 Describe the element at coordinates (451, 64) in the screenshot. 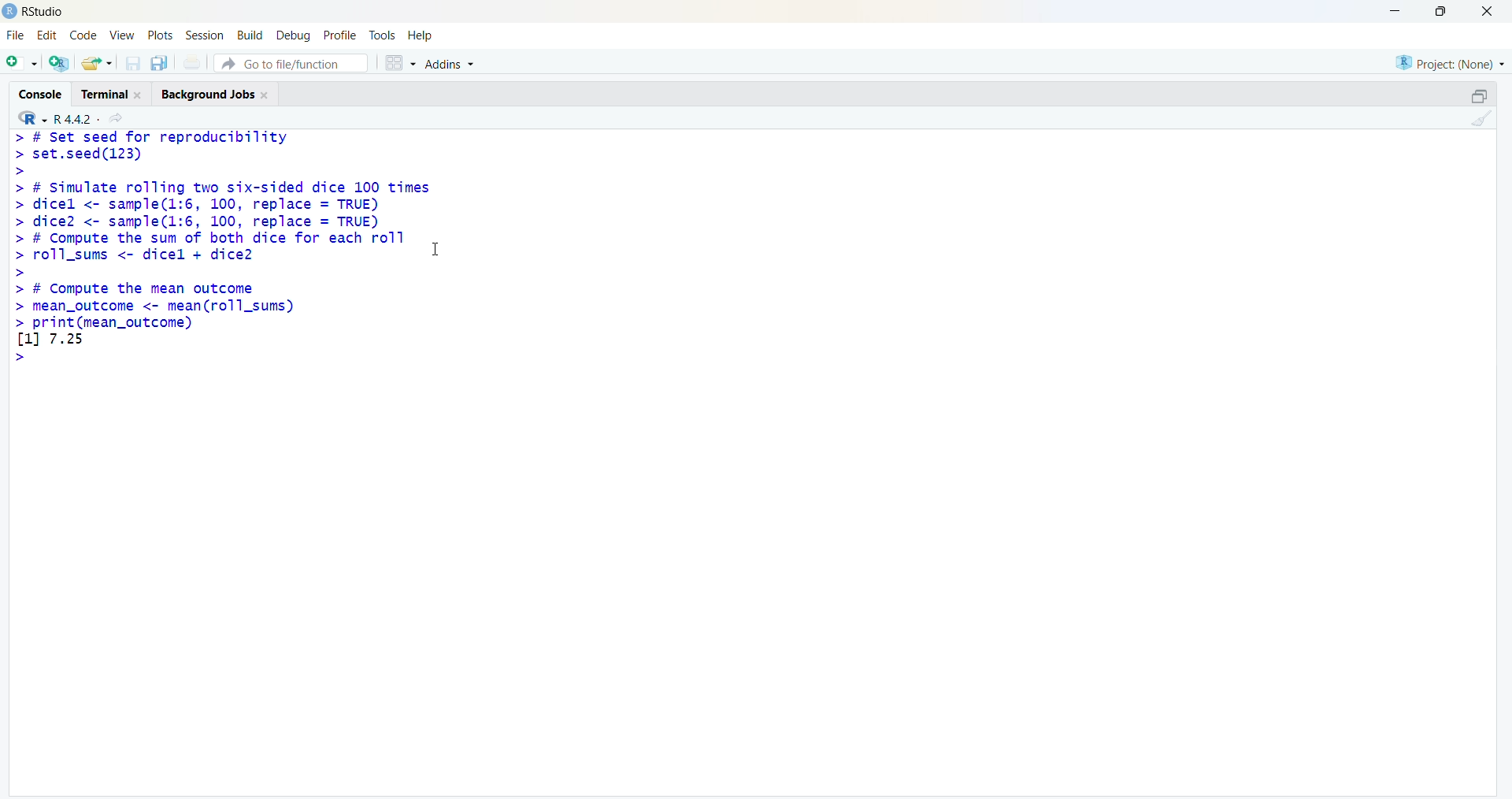

I see `Addins` at that location.